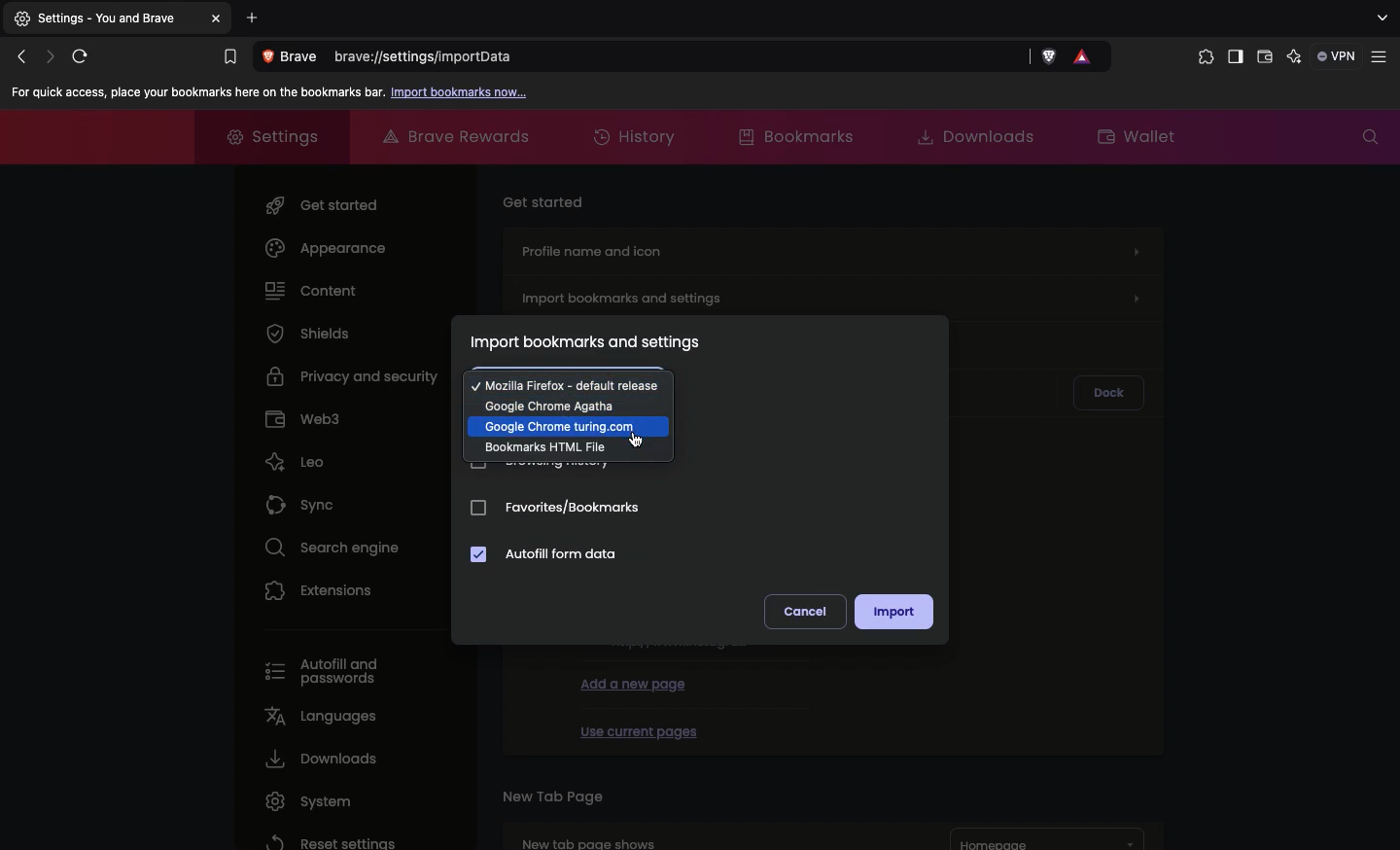 The width and height of the screenshot is (1400, 850). Describe the element at coordinates (194, 92) in the screenshot. I see `For quick access, place your bookmarks here on the bookmarks bar.` at that location.